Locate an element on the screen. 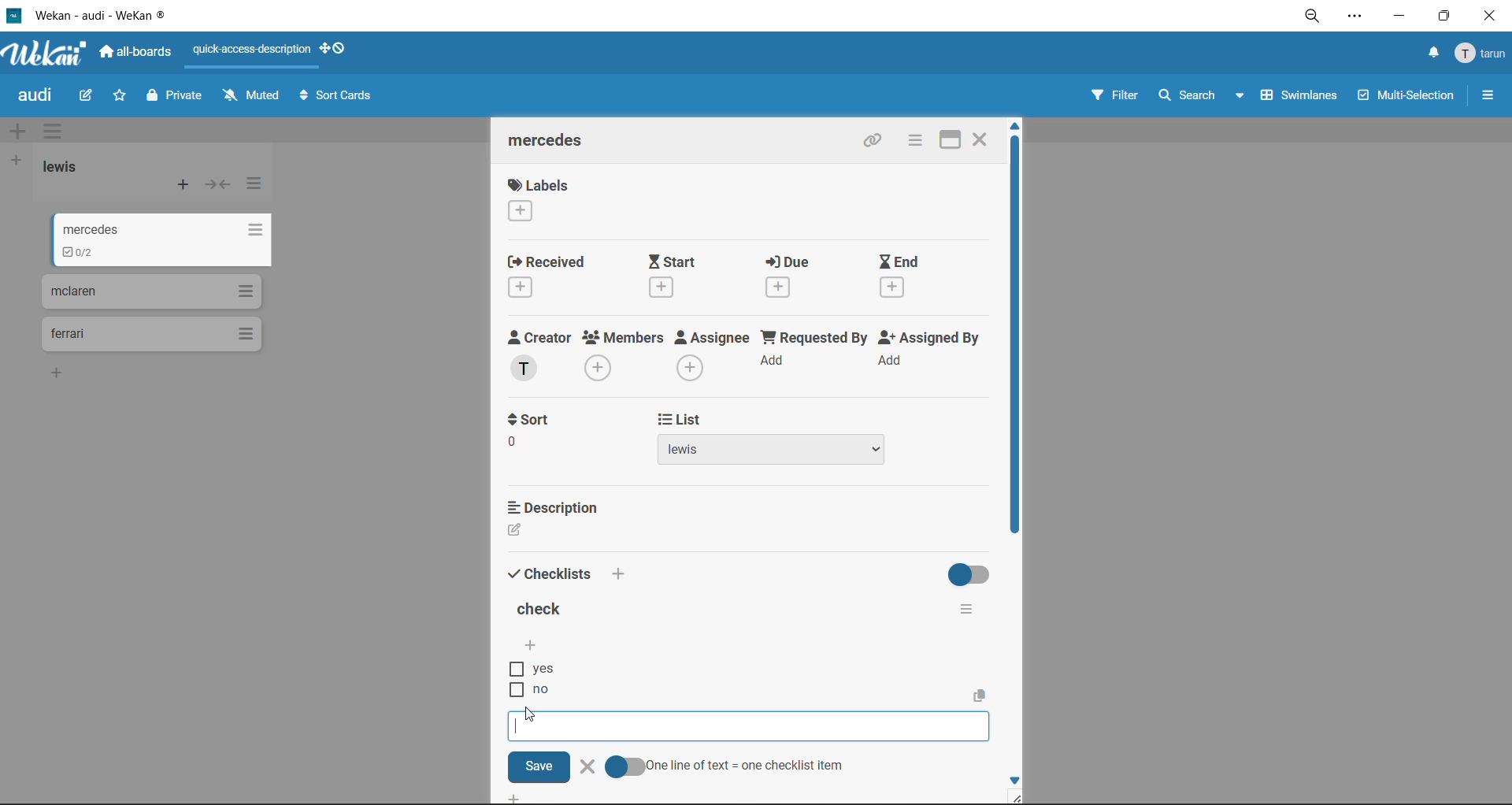 Image resolution: width=1512 pixels, height=805 pixels. assigned by is located at coordinates (930, 339).